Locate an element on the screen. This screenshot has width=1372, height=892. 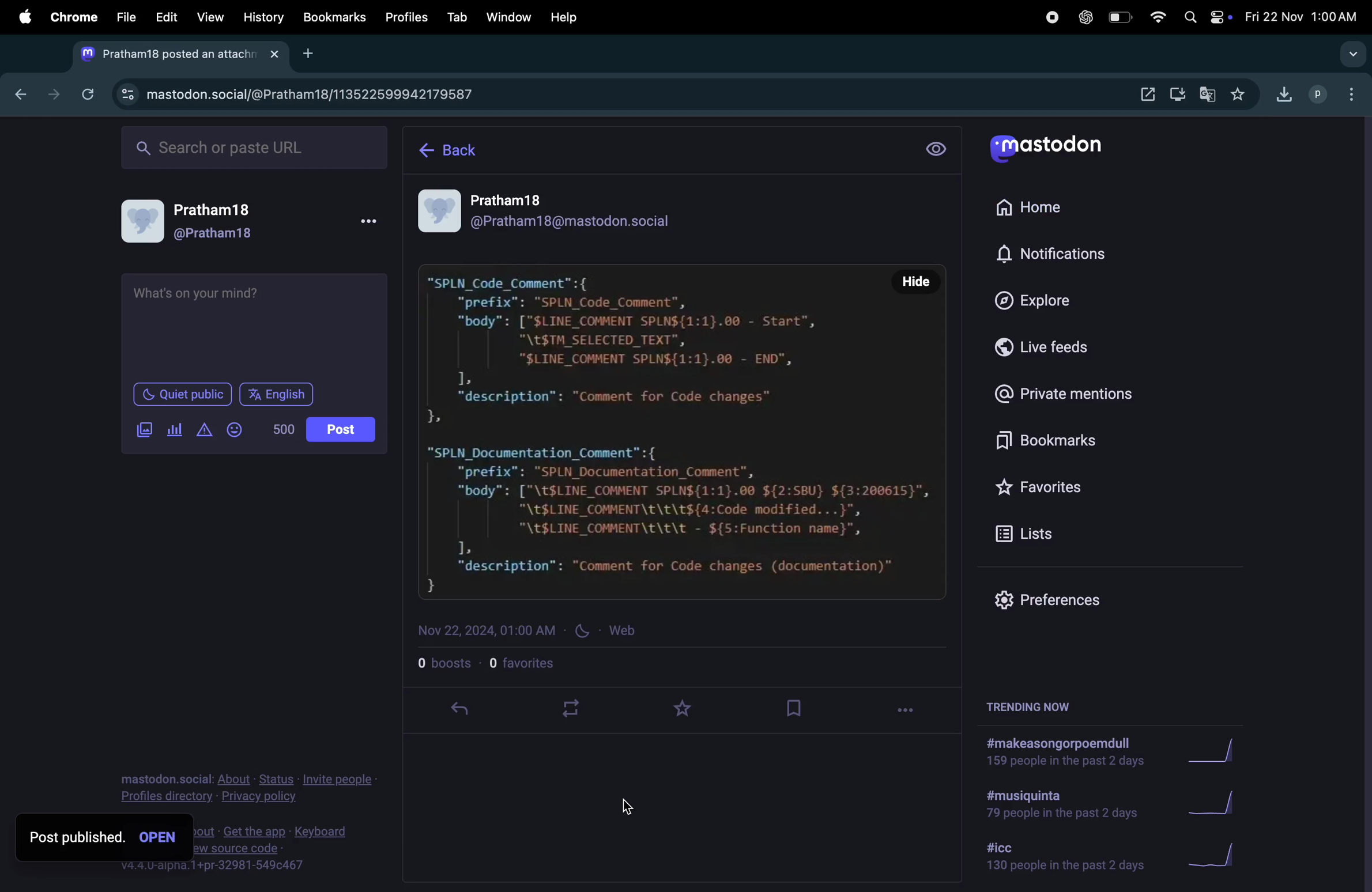
cursor is located at coordinates (630, 806).